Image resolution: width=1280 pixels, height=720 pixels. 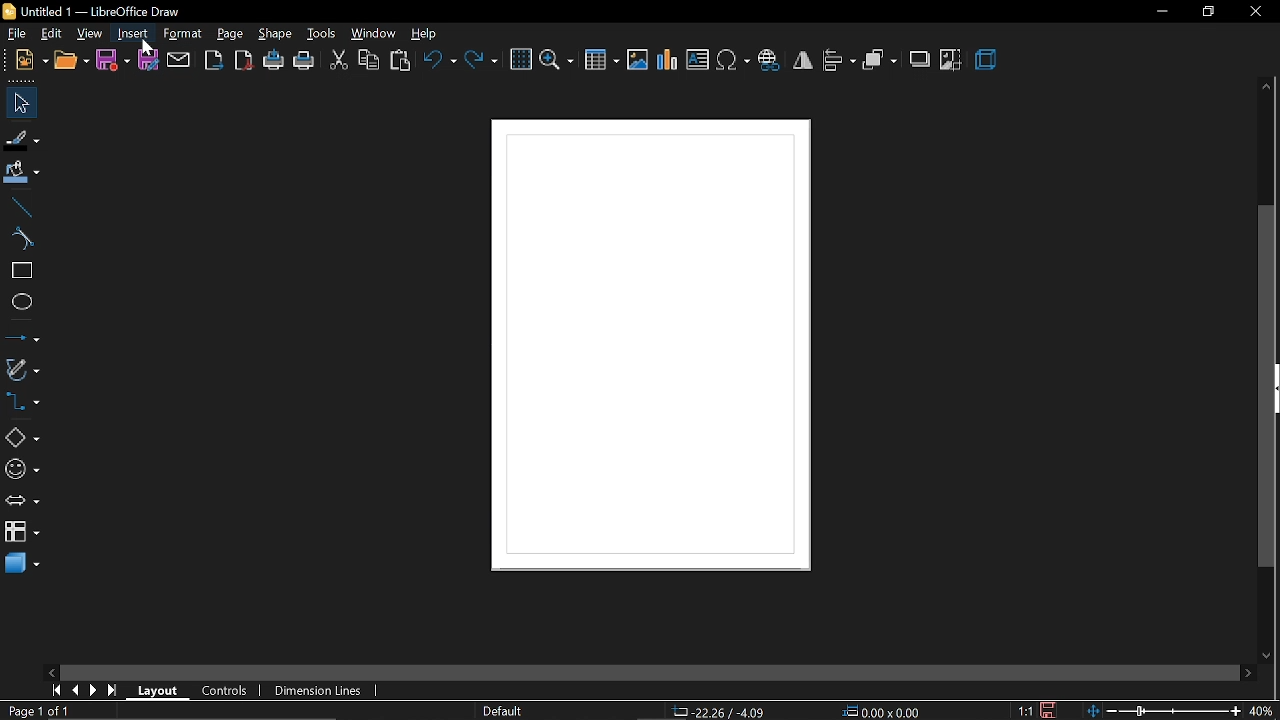 I want to click on close, so click(x=1256, y=13).